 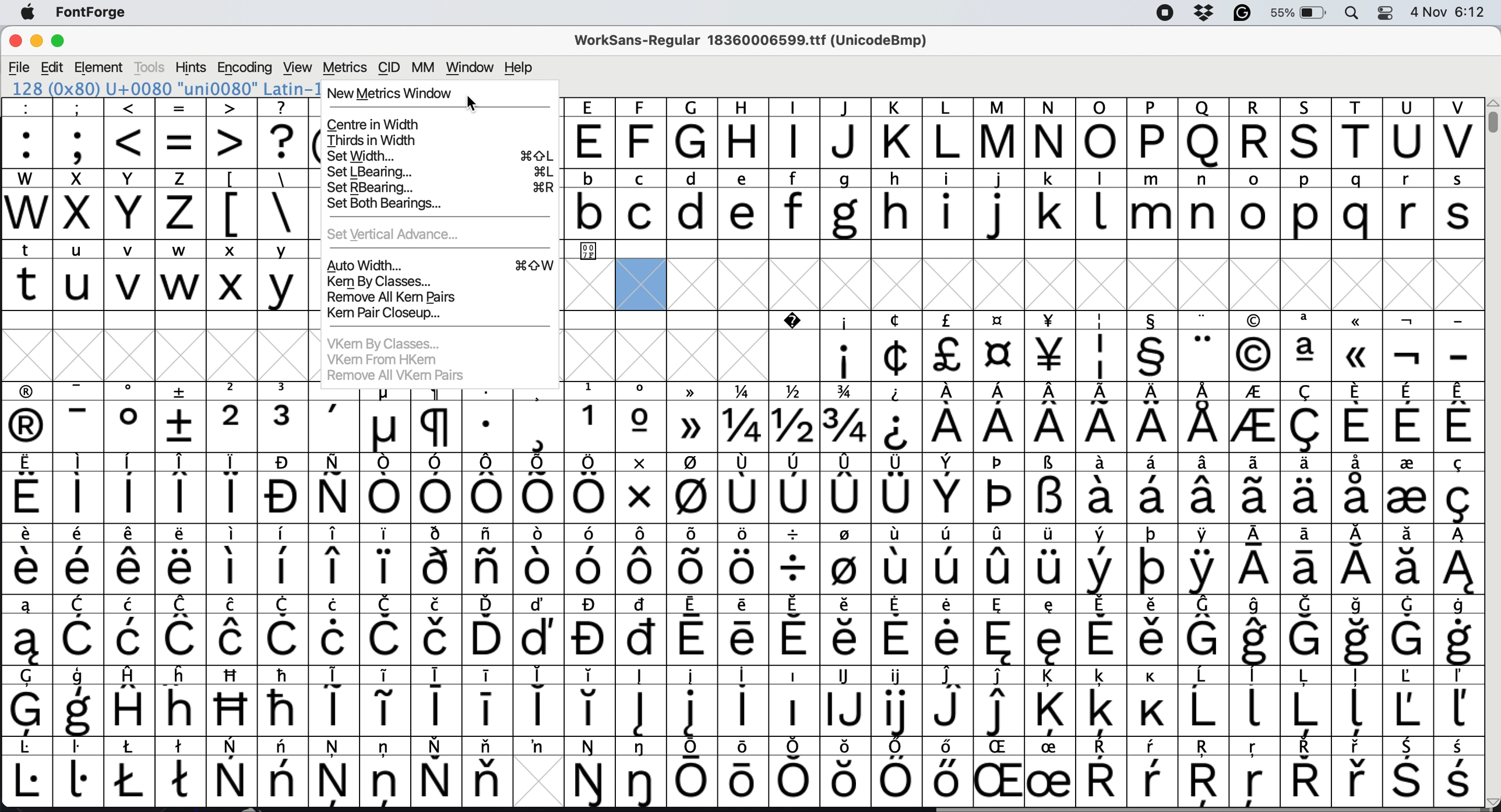 I want to click on special characters, so click(x=742, y=498).